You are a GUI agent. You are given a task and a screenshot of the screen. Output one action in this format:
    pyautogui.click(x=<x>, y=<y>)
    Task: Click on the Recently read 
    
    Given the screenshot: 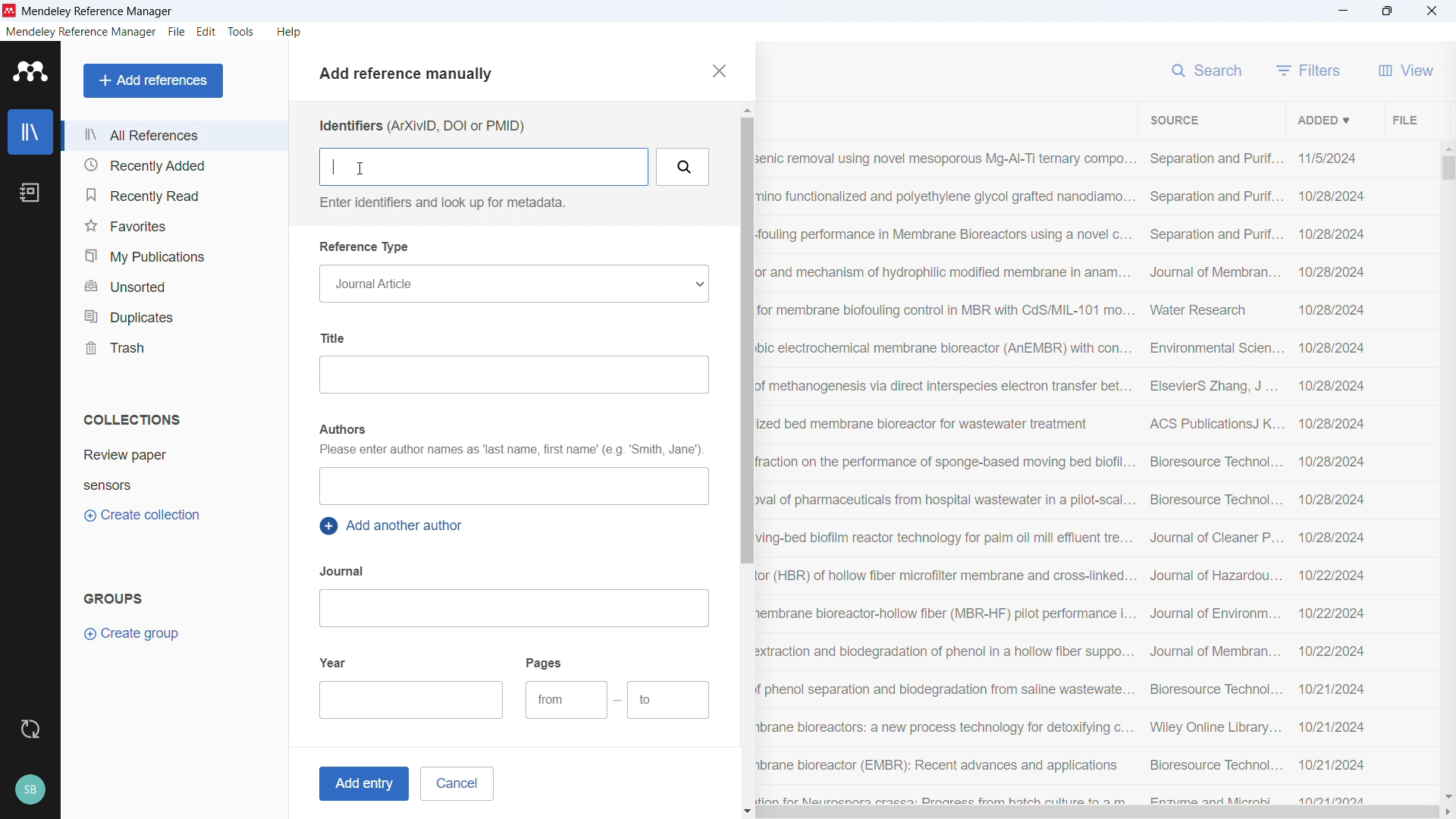 What is the action you would take?
    pyautogui.click(x=172, y=195)
    